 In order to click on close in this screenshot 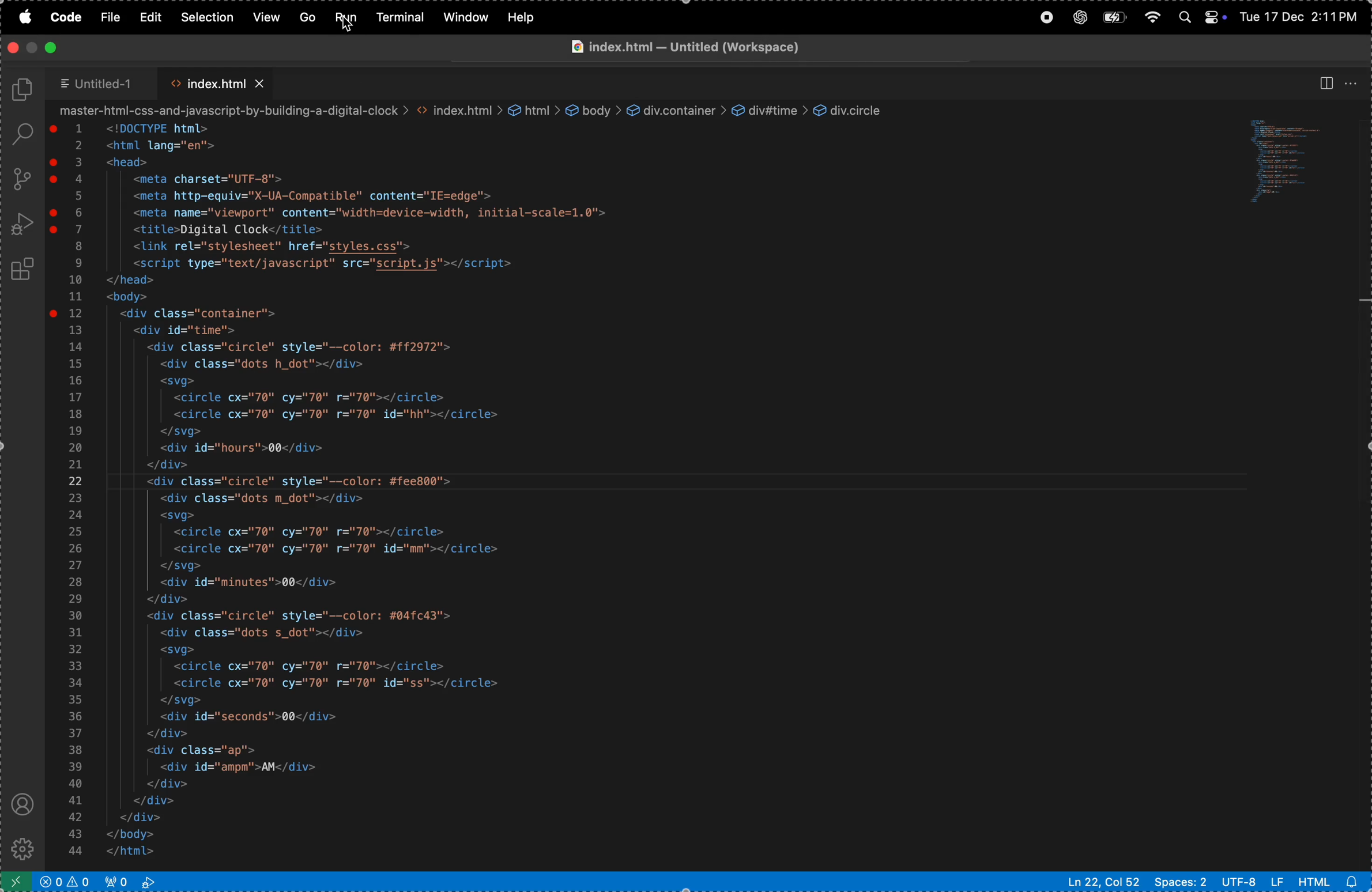, I will do `click(13, 47)`.